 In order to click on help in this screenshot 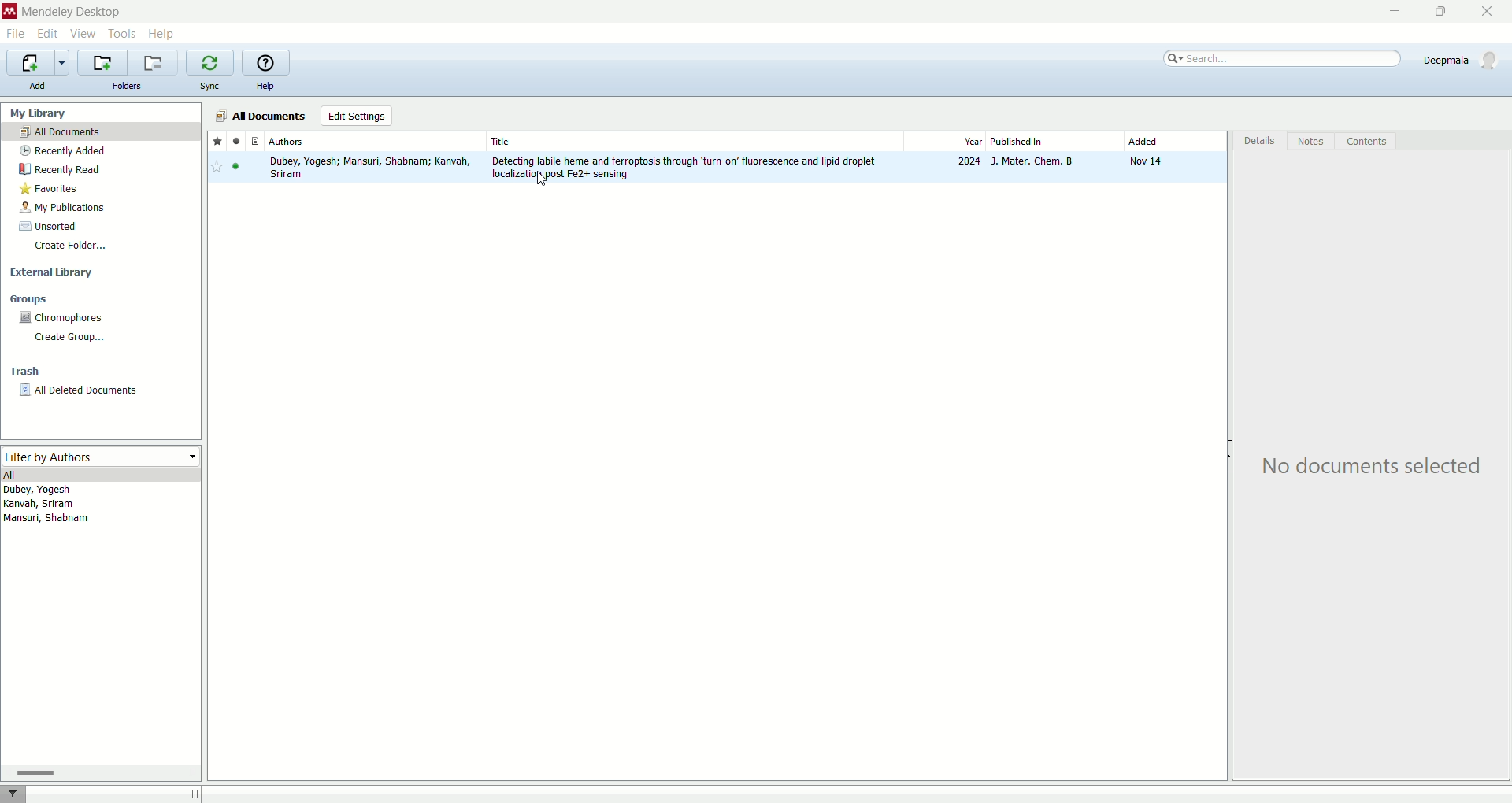, I will do `click(161, 34)`.